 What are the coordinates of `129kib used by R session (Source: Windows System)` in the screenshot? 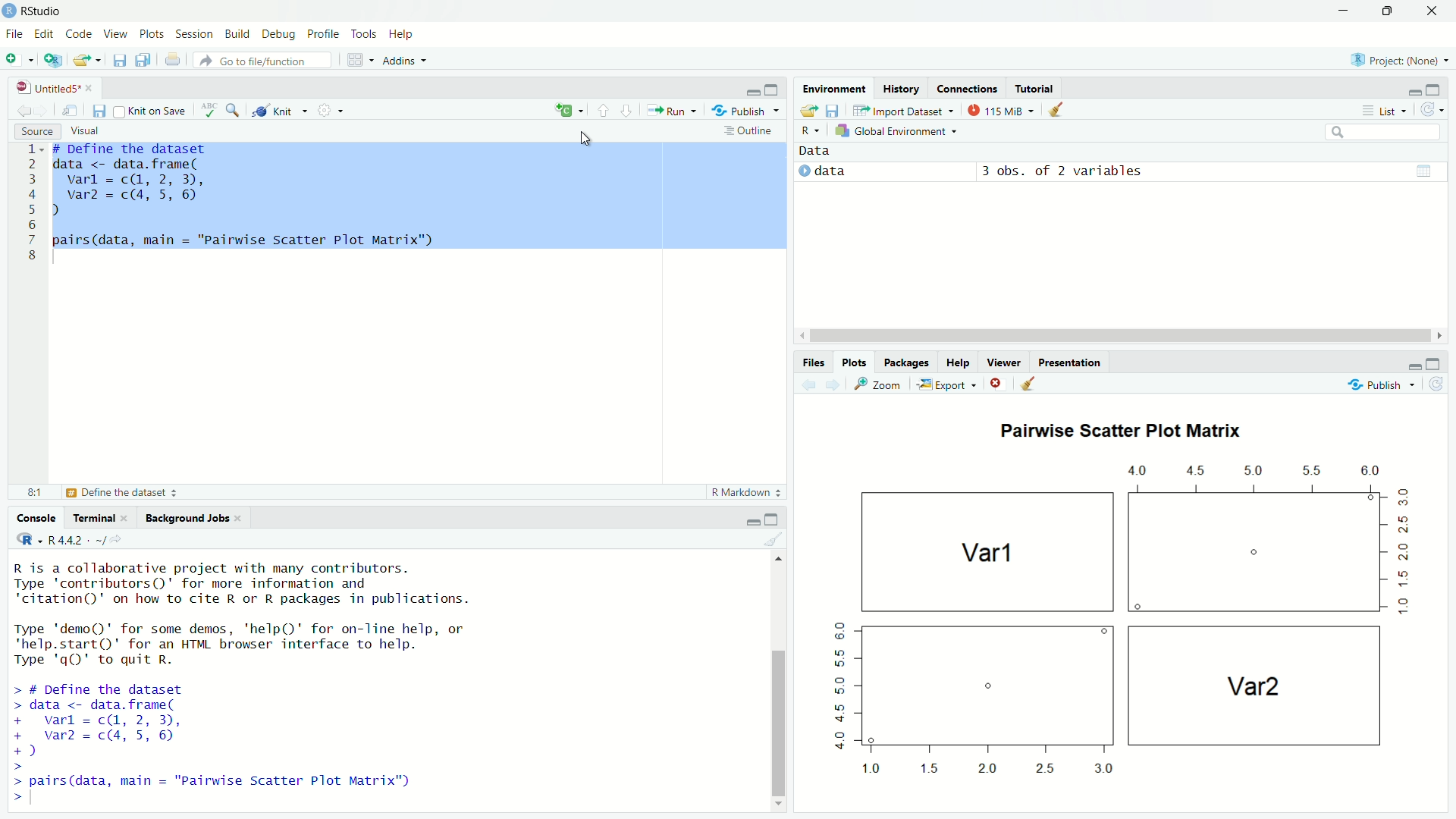 It's located at (1002, 108).